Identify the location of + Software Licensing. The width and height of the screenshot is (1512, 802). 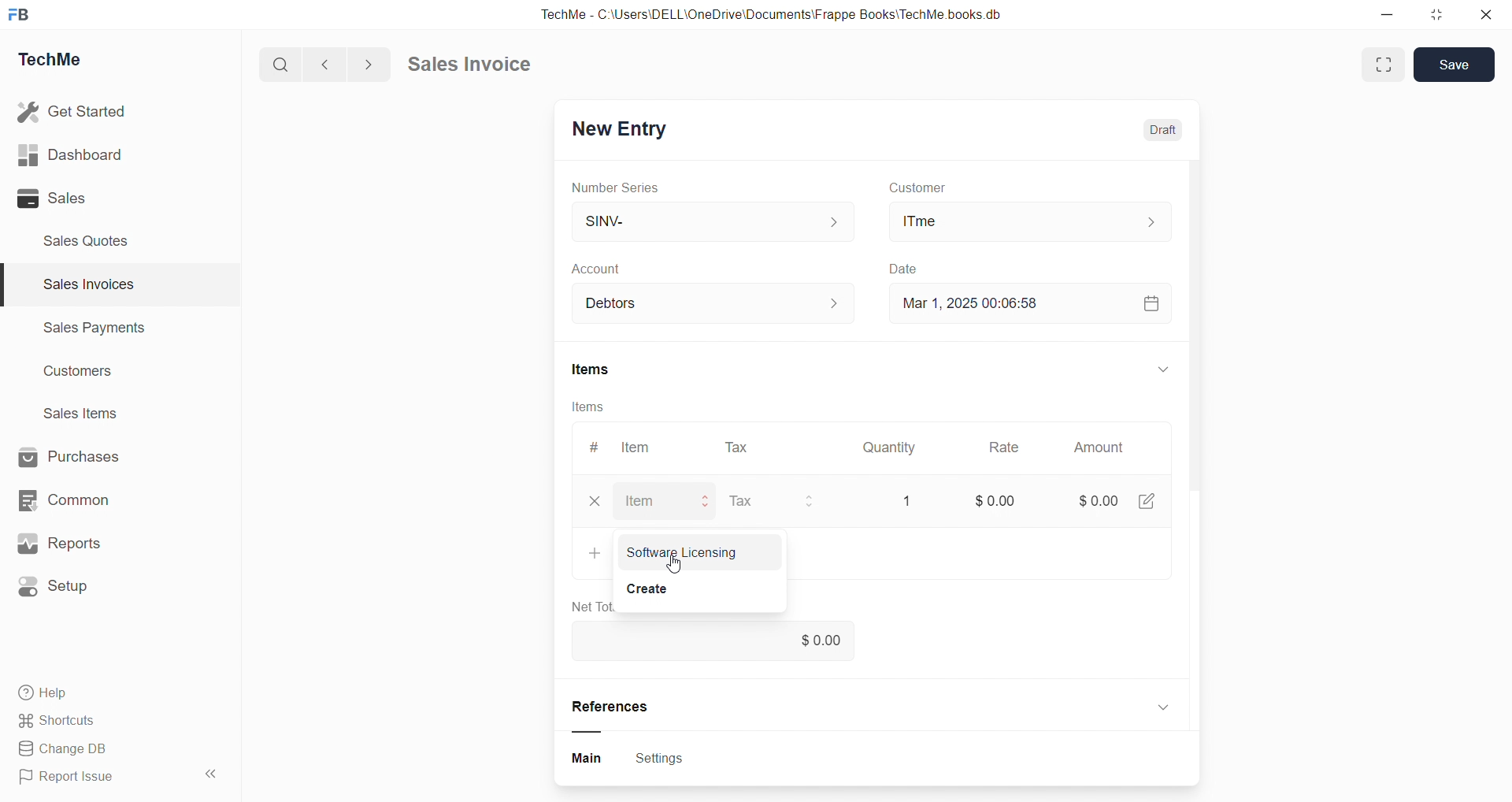
(680, 548).